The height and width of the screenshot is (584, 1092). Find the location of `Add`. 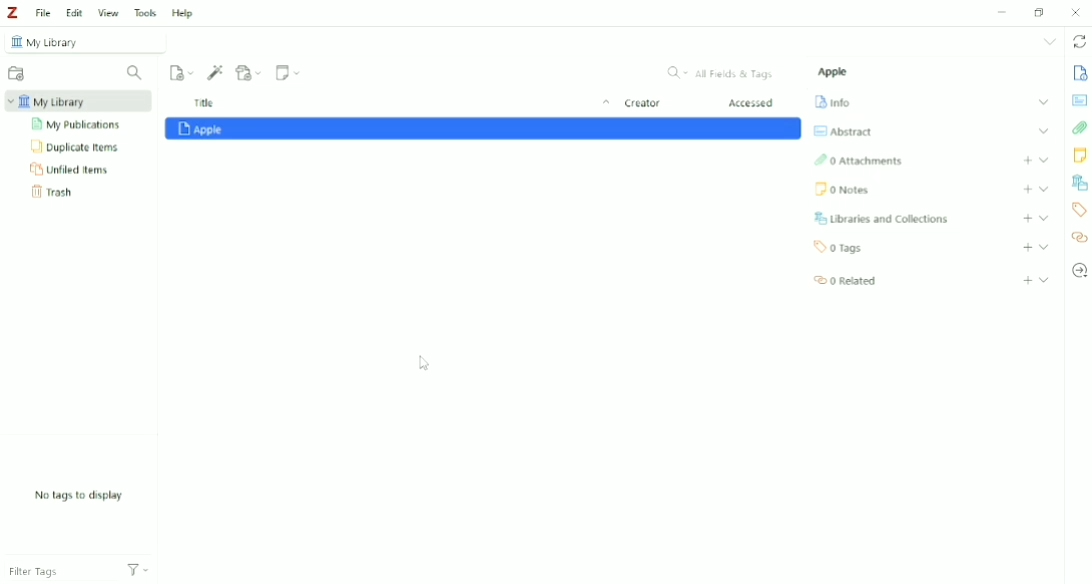

Add is located at coordinates (1027, 248).